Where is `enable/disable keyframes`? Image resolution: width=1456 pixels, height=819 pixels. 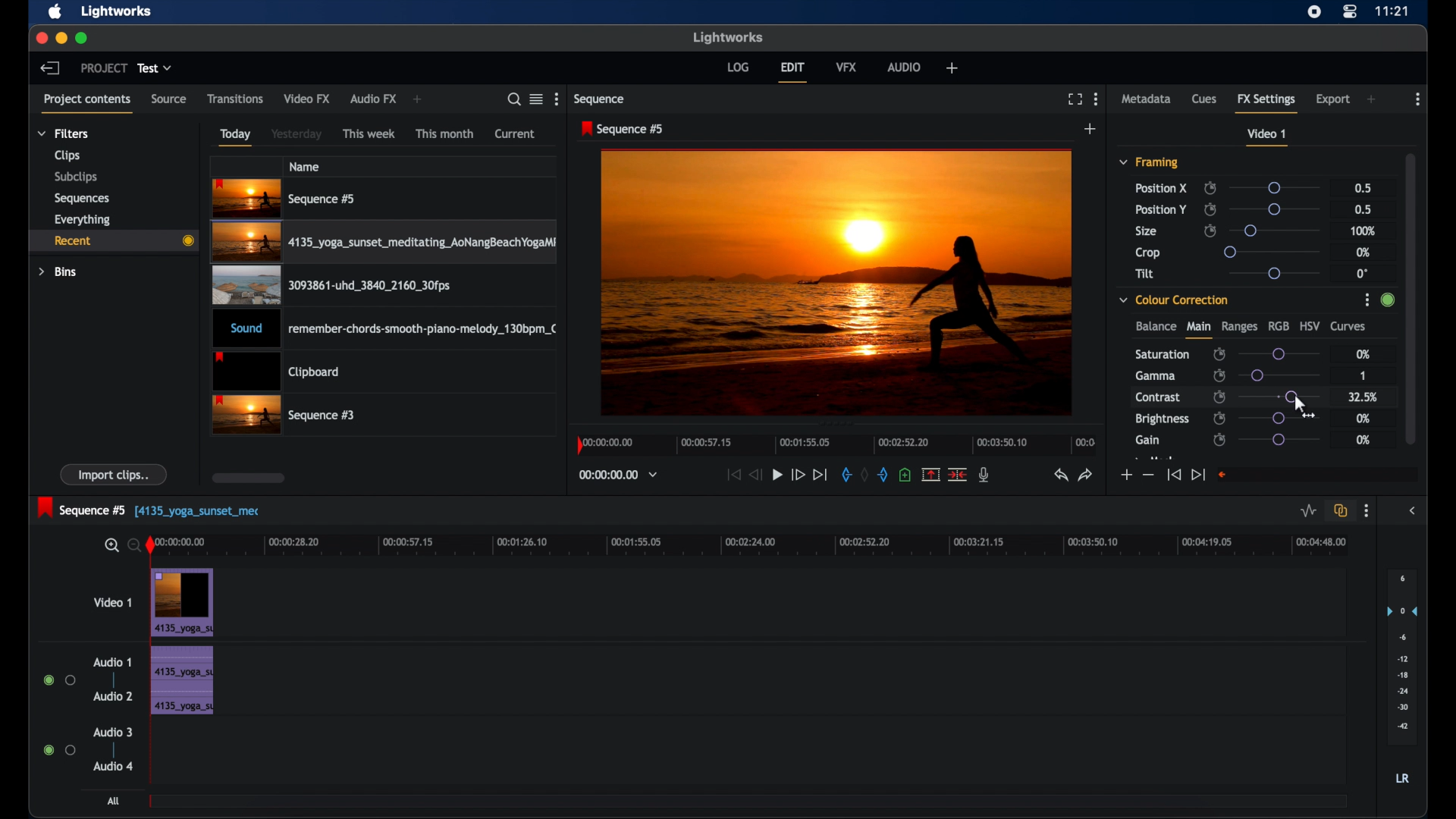
enable/disable keyframes is located at coordinates (1210, 209).